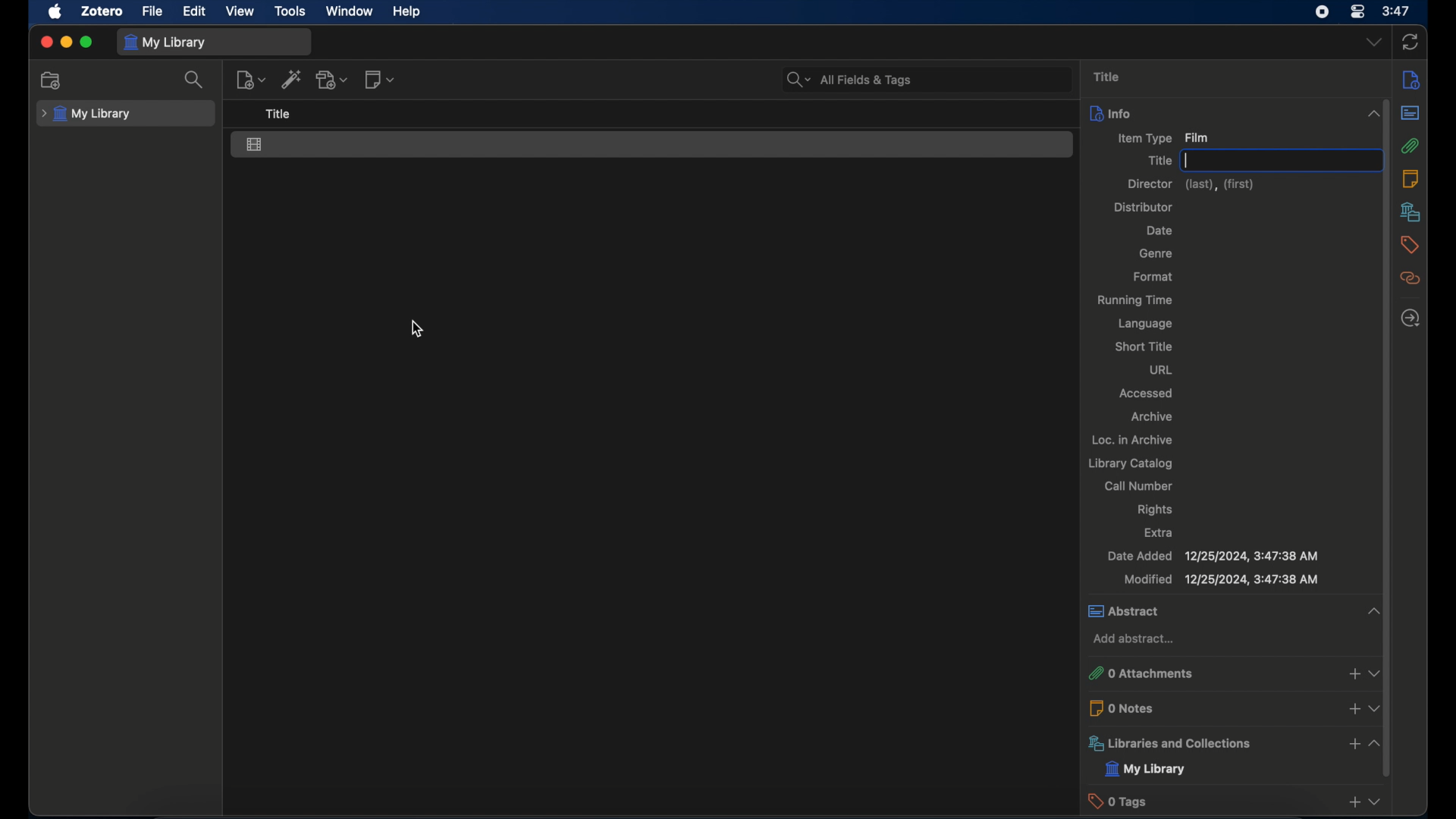  What do you see at coordinates (164, 43) in the screenshot?
I see `my library` at bounding box center [164, 43].